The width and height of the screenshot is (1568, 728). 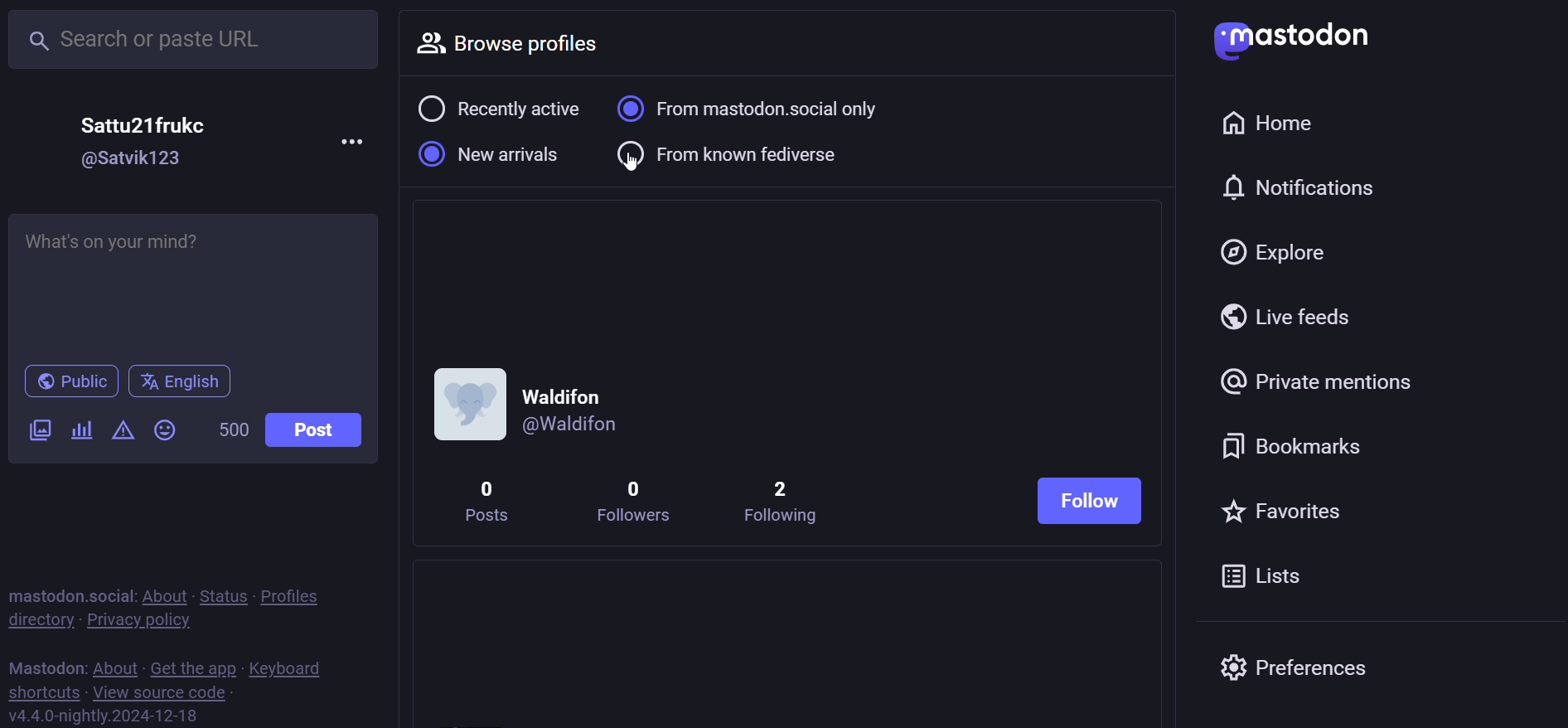 What do you see at coordinates (631, 497) in the screenshot?
I see `0 followers` at bounding box center [631, 497].